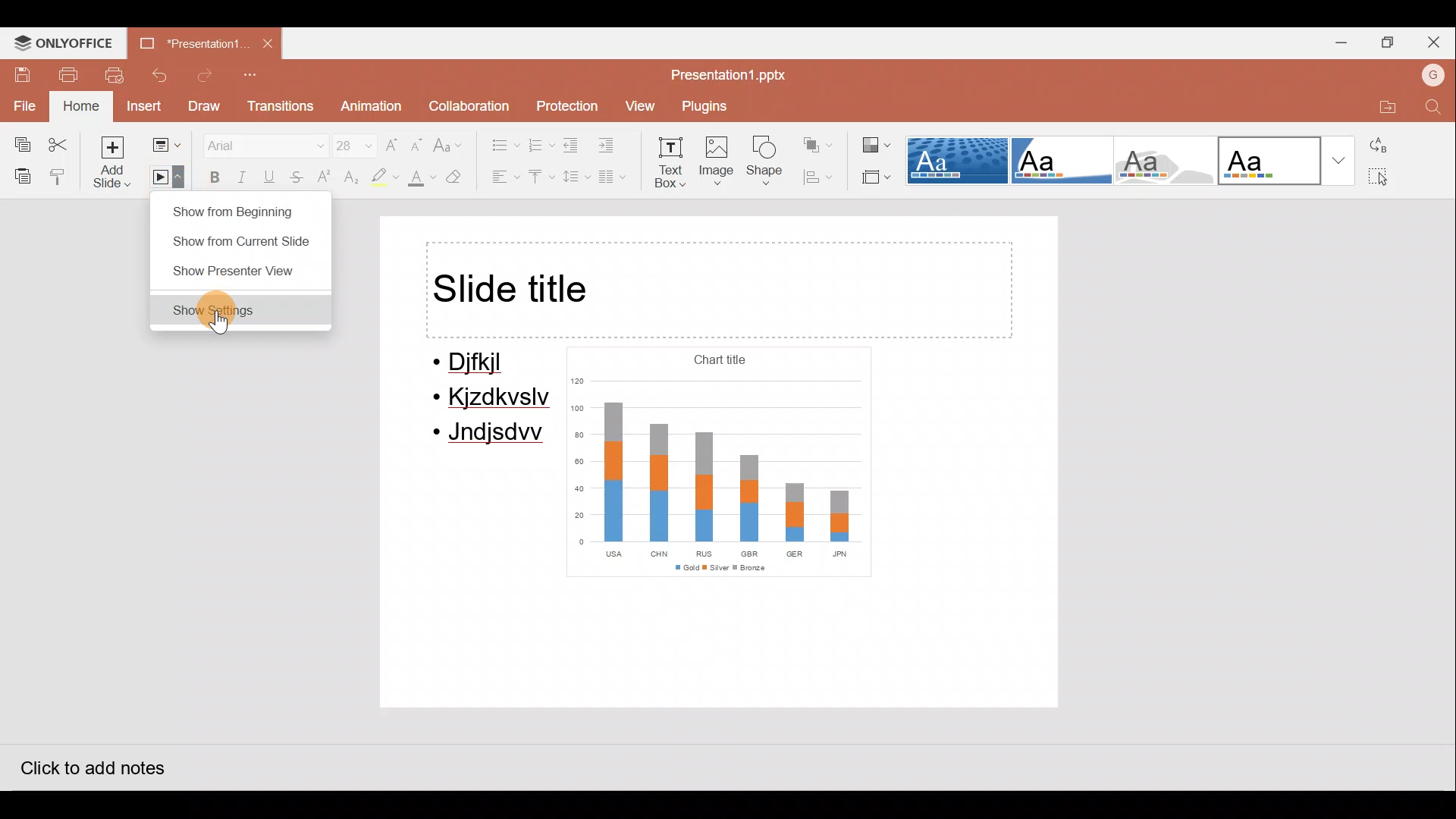 This screenshot has width=1456, height=819. I want to click on Redo, so click(206, 75).